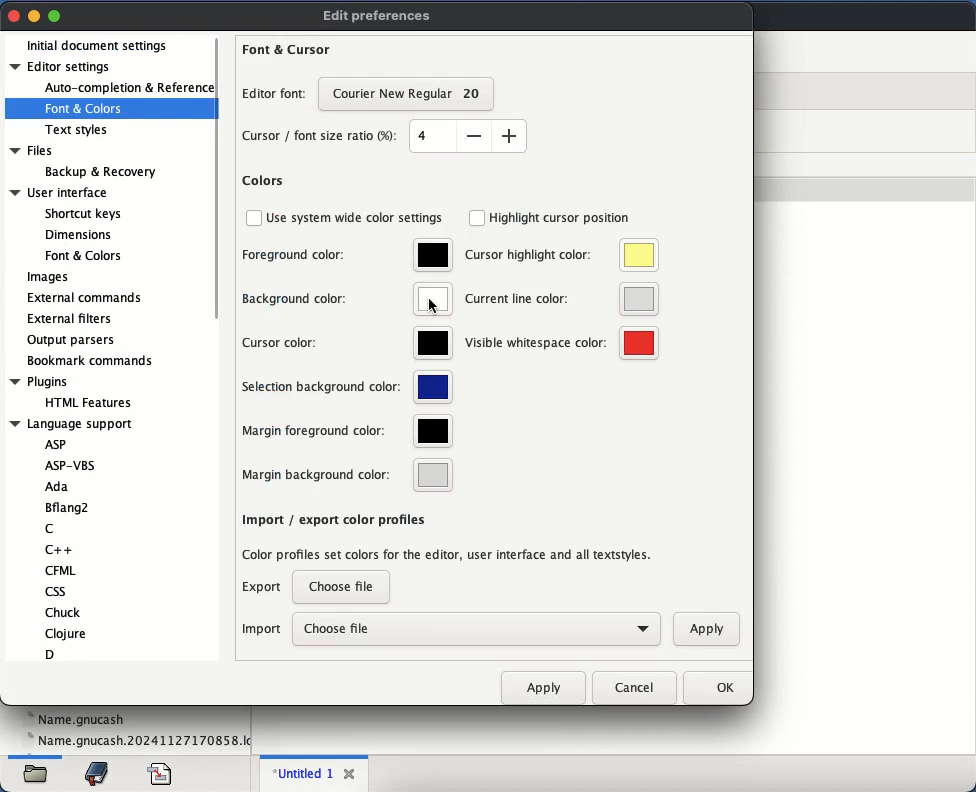 This screenshot has width=976, height=792. What do you see at coordinates (162, 772) in the screenshot?
I see `file` at bounding box center [162, 772].